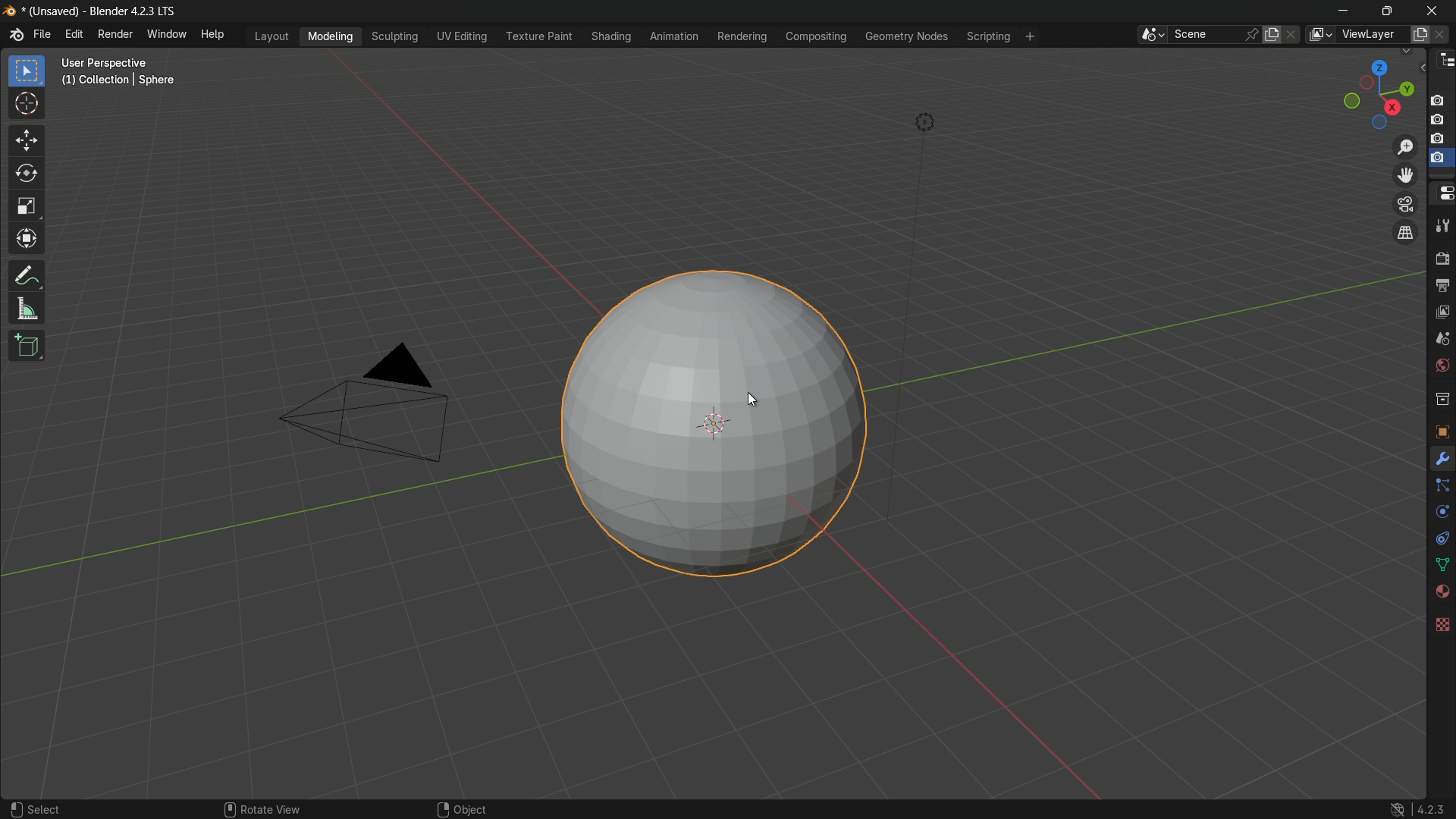 This screenshot has height=819, width=1456. I want to click on transform, so click(27, 240).